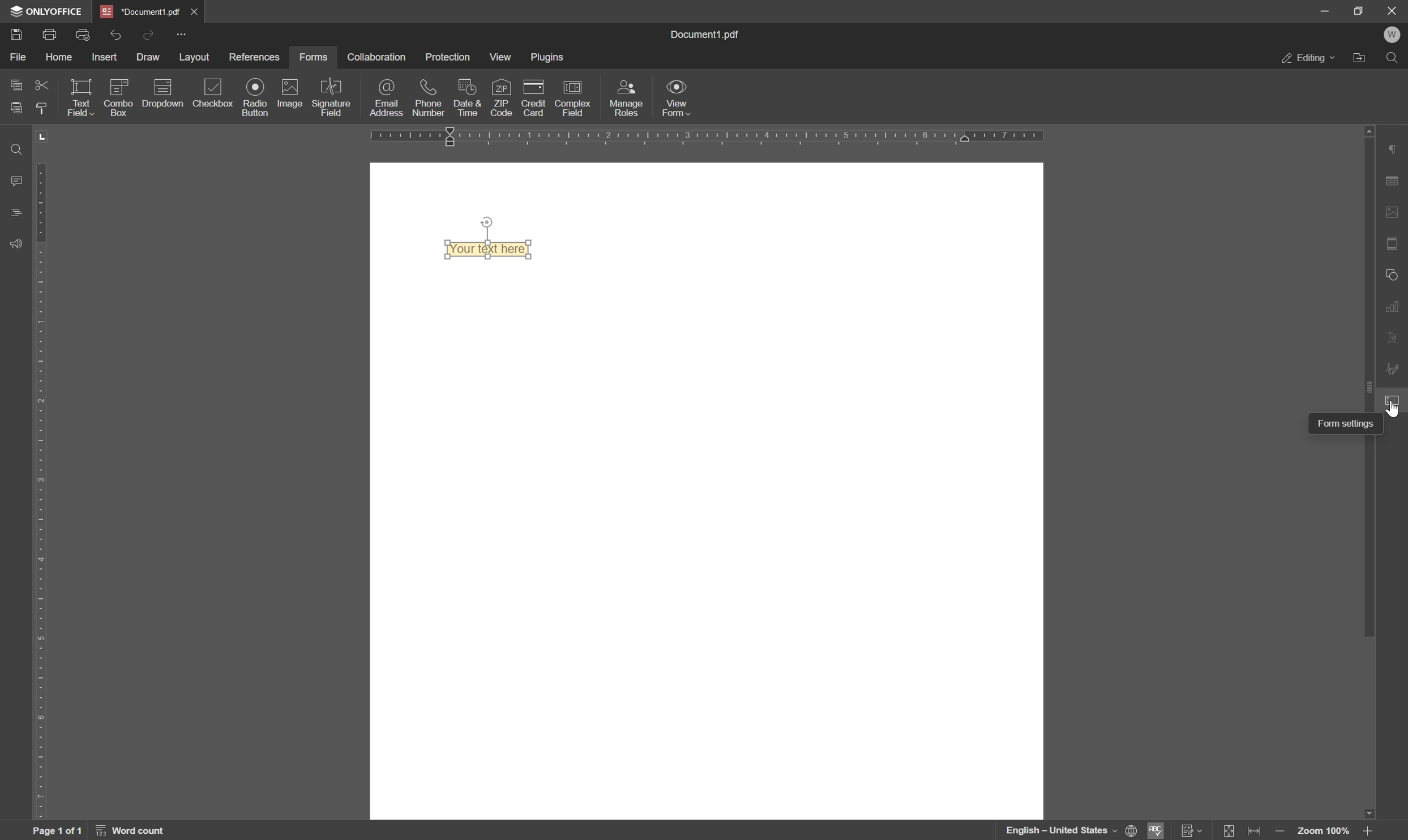 This screenshot has width=1408, height=840. I want to click on radio button, so click(254, 98).